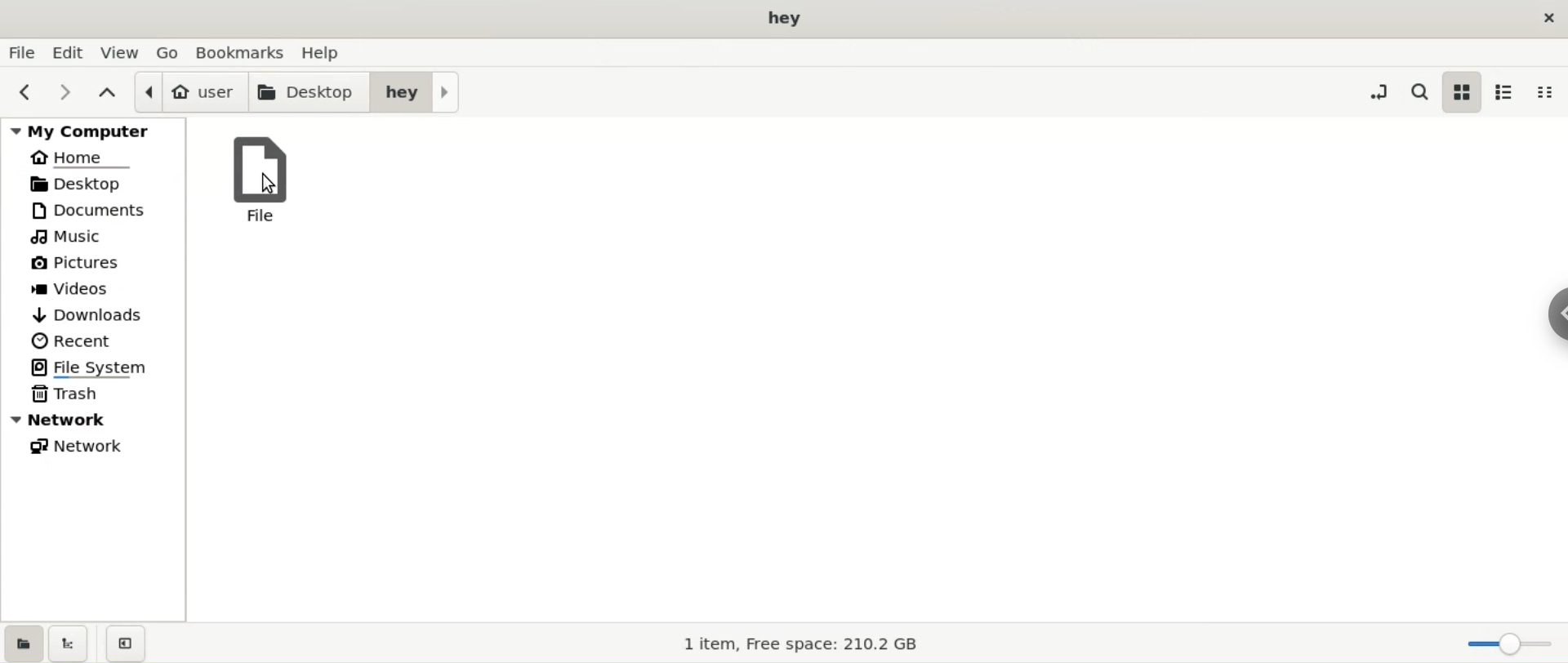  Describe the element at coordinates (91, 264) in the screenshot. I see `pictures` at that location.